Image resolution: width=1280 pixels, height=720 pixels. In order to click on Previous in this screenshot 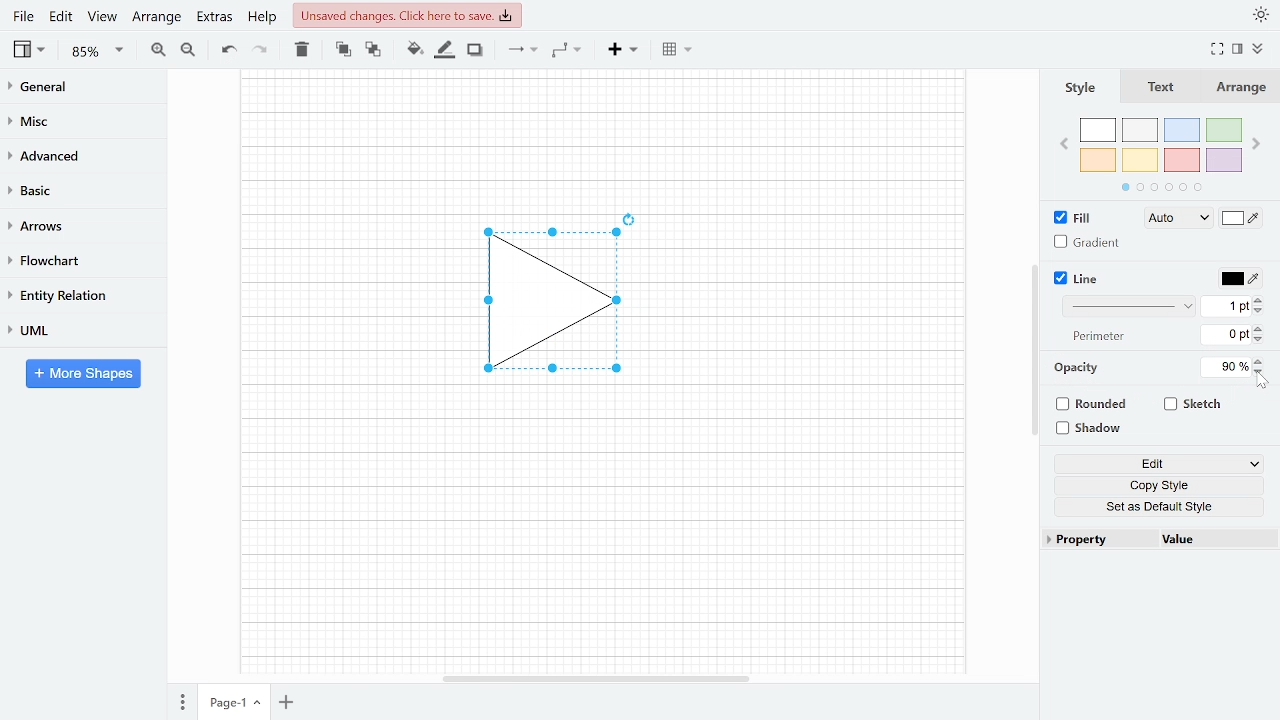, I will do `click(1063, 142)`.